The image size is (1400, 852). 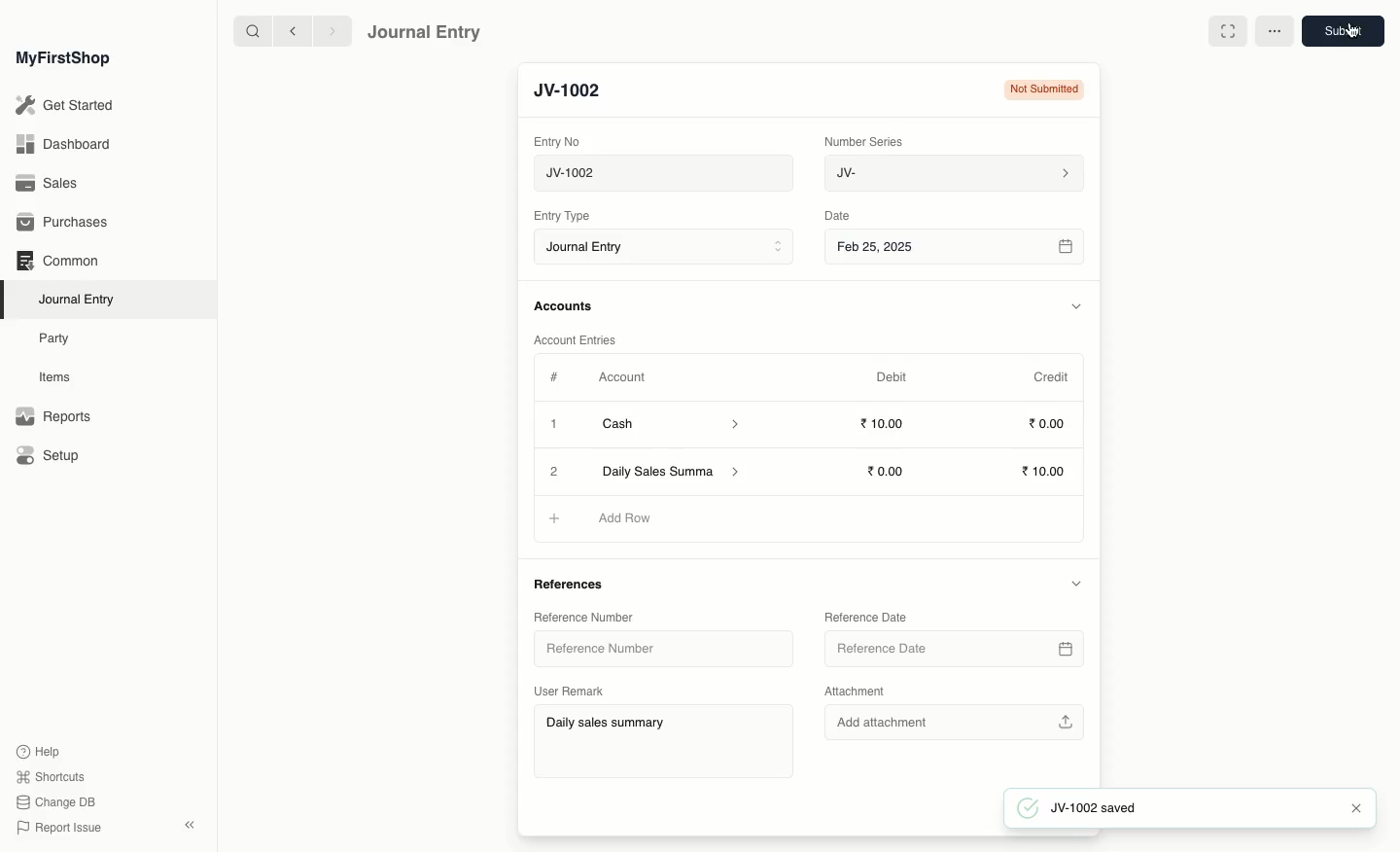 I want to click on Add attachment, so click(x=952, y=720).